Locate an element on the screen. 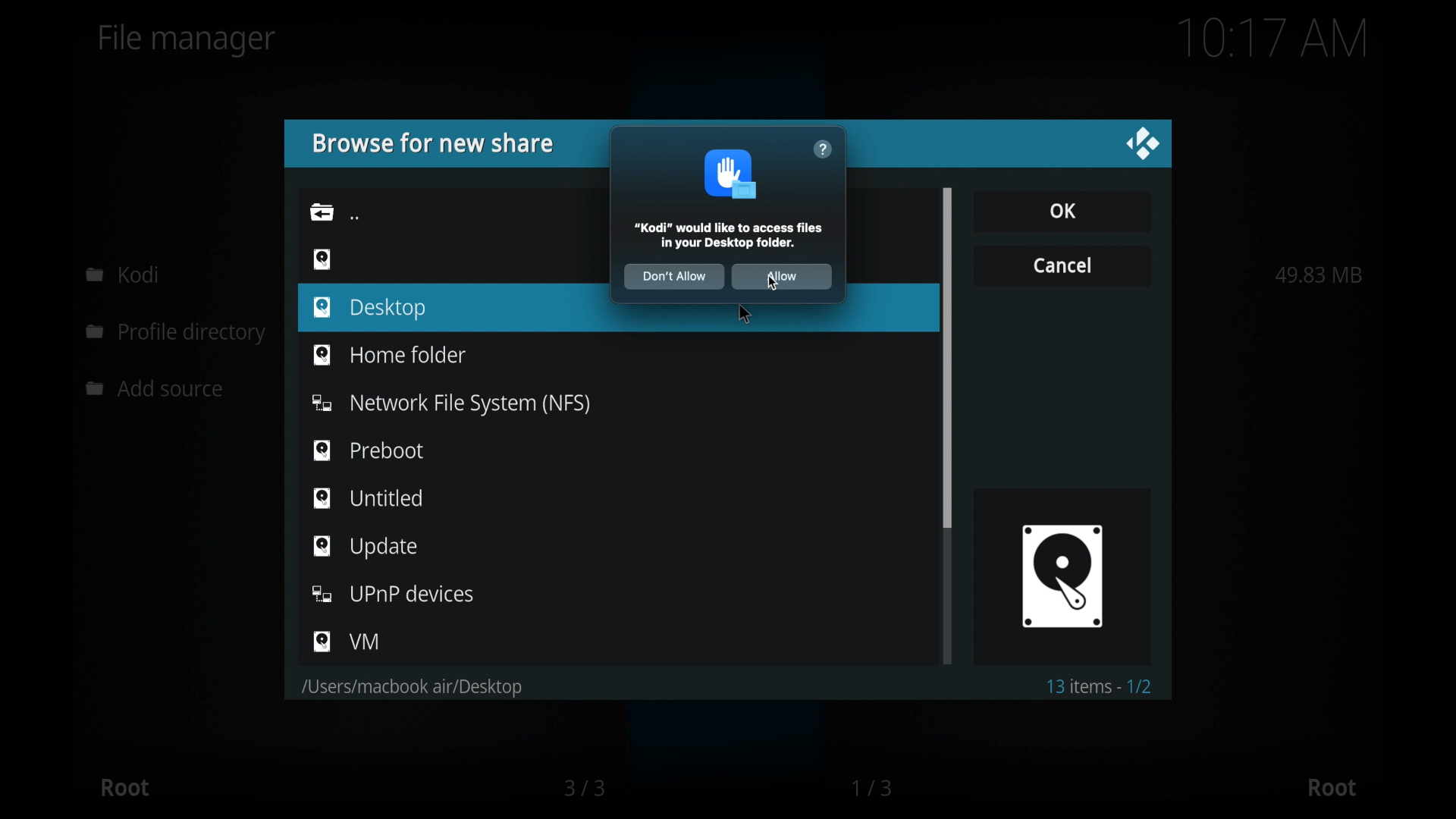 The image size is (1456, 819). Permission to access files is located at coordinates (731, 235).